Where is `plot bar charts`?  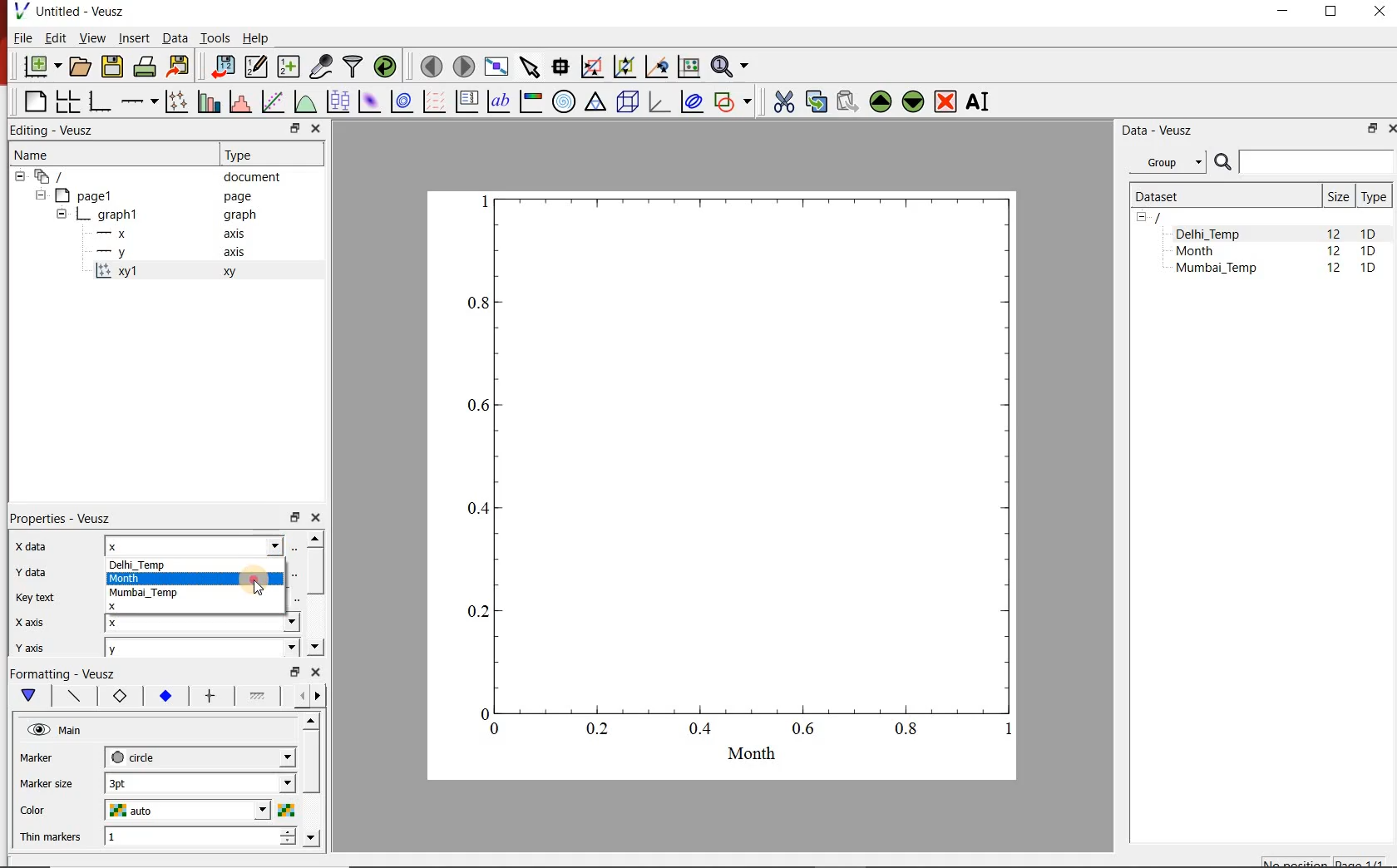
plot bar charts is located at coordinates (206, 102).